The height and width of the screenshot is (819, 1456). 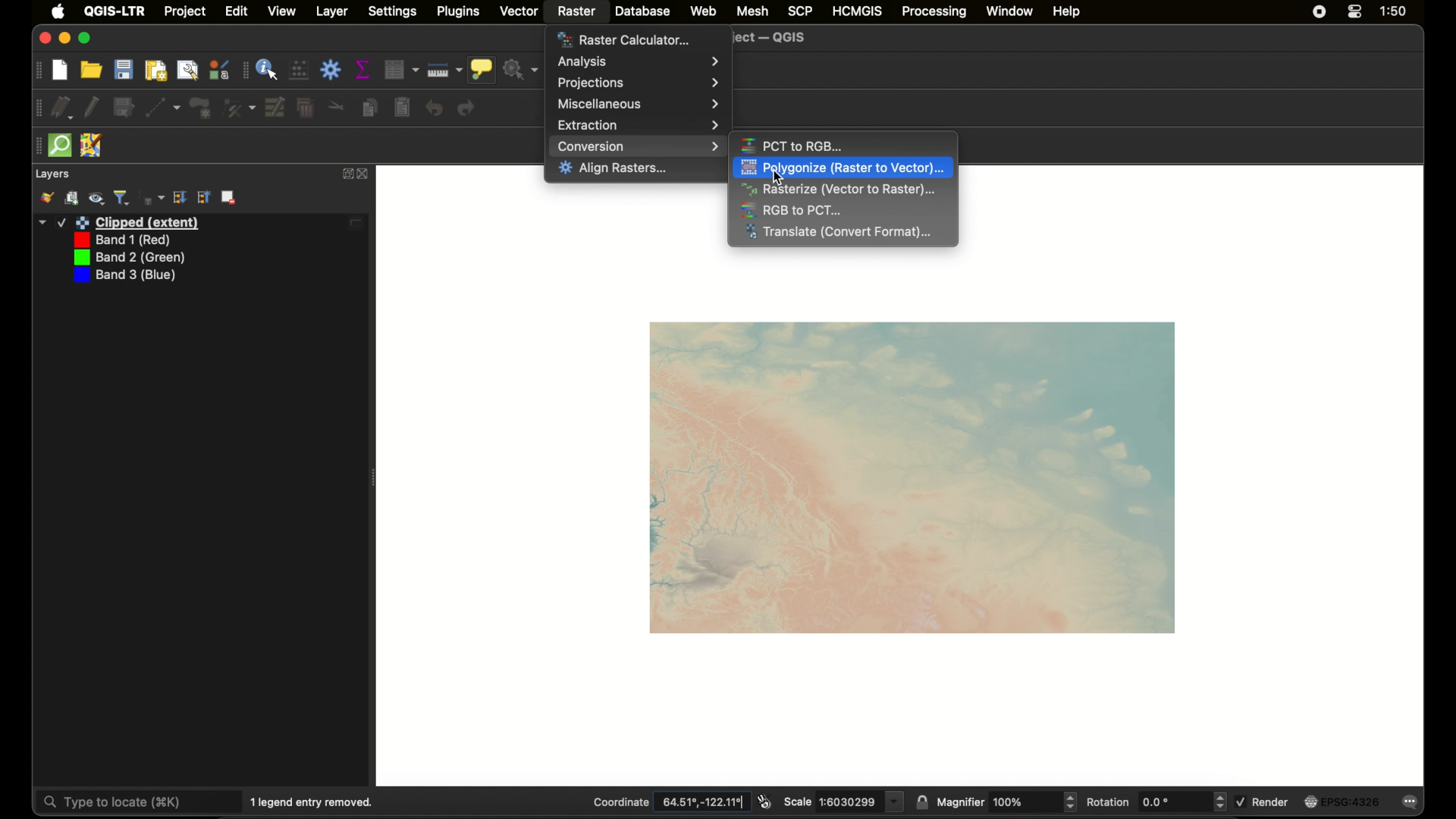 I want to click on new print layout, so click(x=157, y=71).